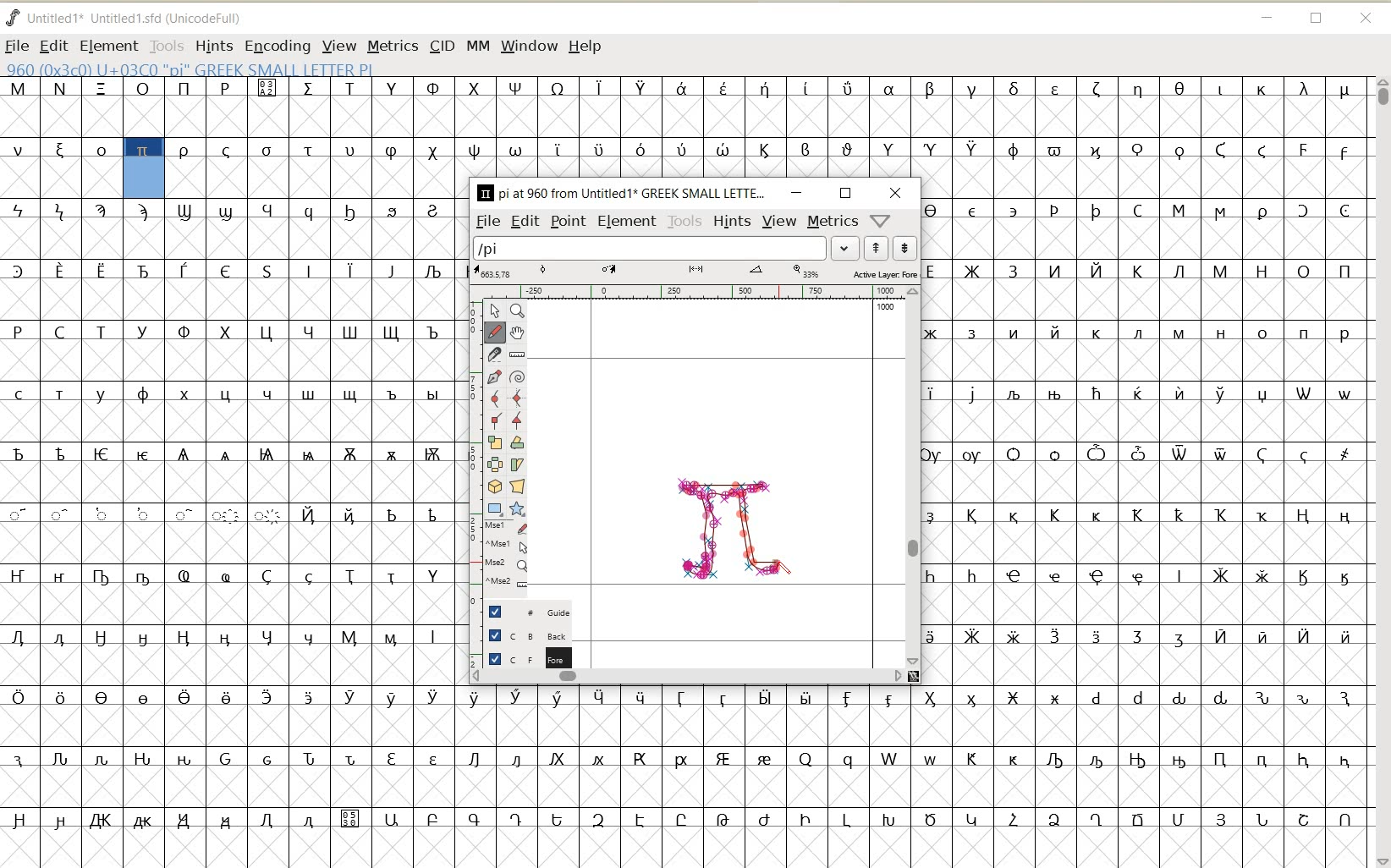 The width and height of the screenshot is (1391, 868). Describe the element at coordinates (278, 45) in the screenshot. I see `ENCODING` at that location.